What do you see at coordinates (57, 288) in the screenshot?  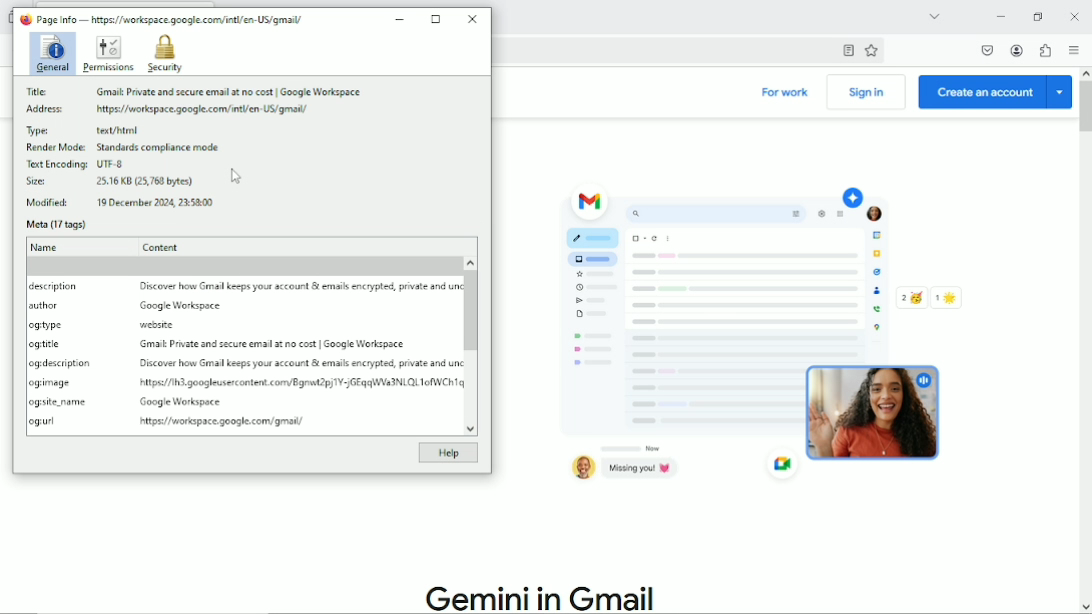 I see `description` at bounding box center [57, 288].